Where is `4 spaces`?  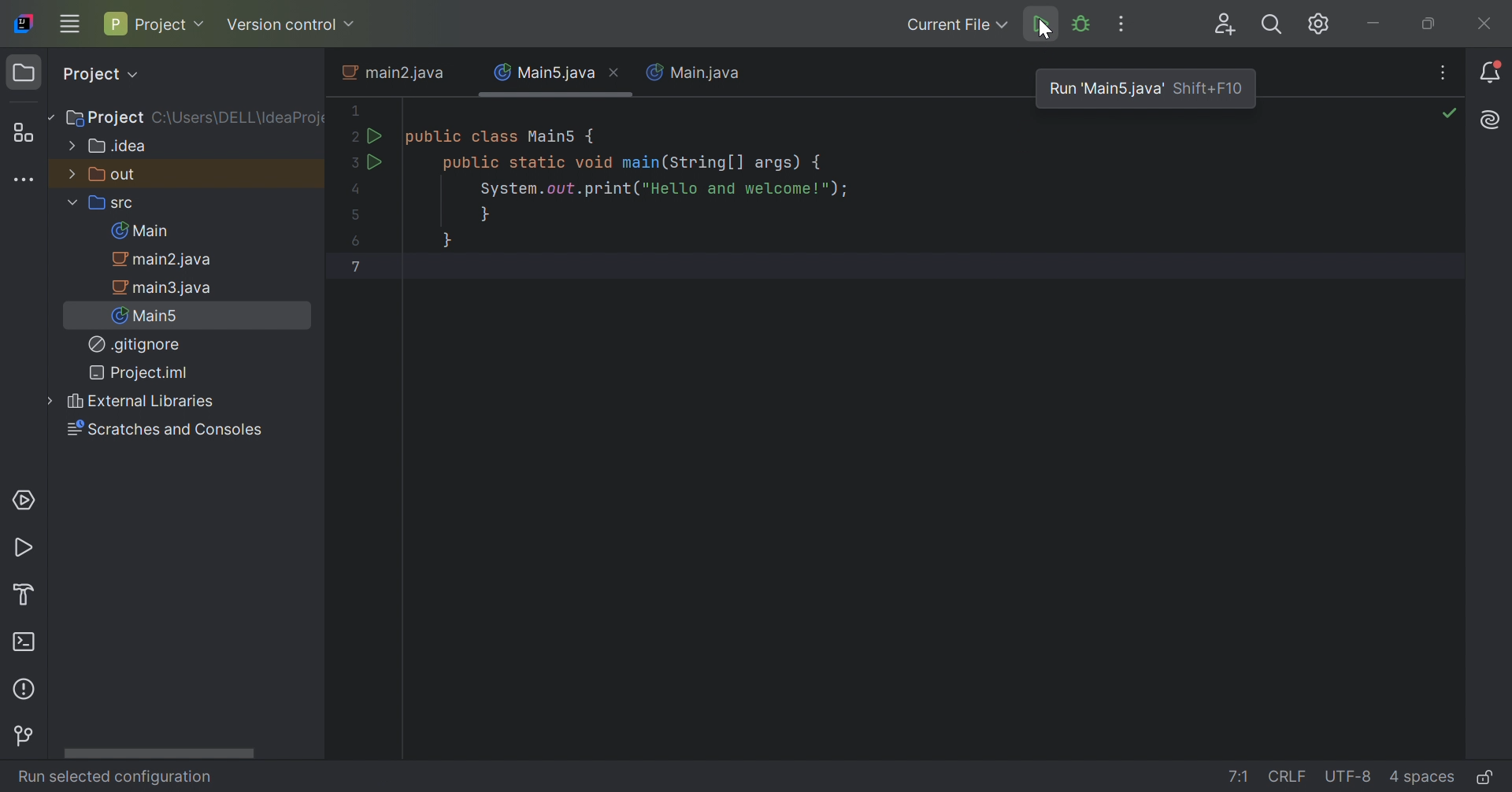 4 spaces is located at coordinates (1421, 776).